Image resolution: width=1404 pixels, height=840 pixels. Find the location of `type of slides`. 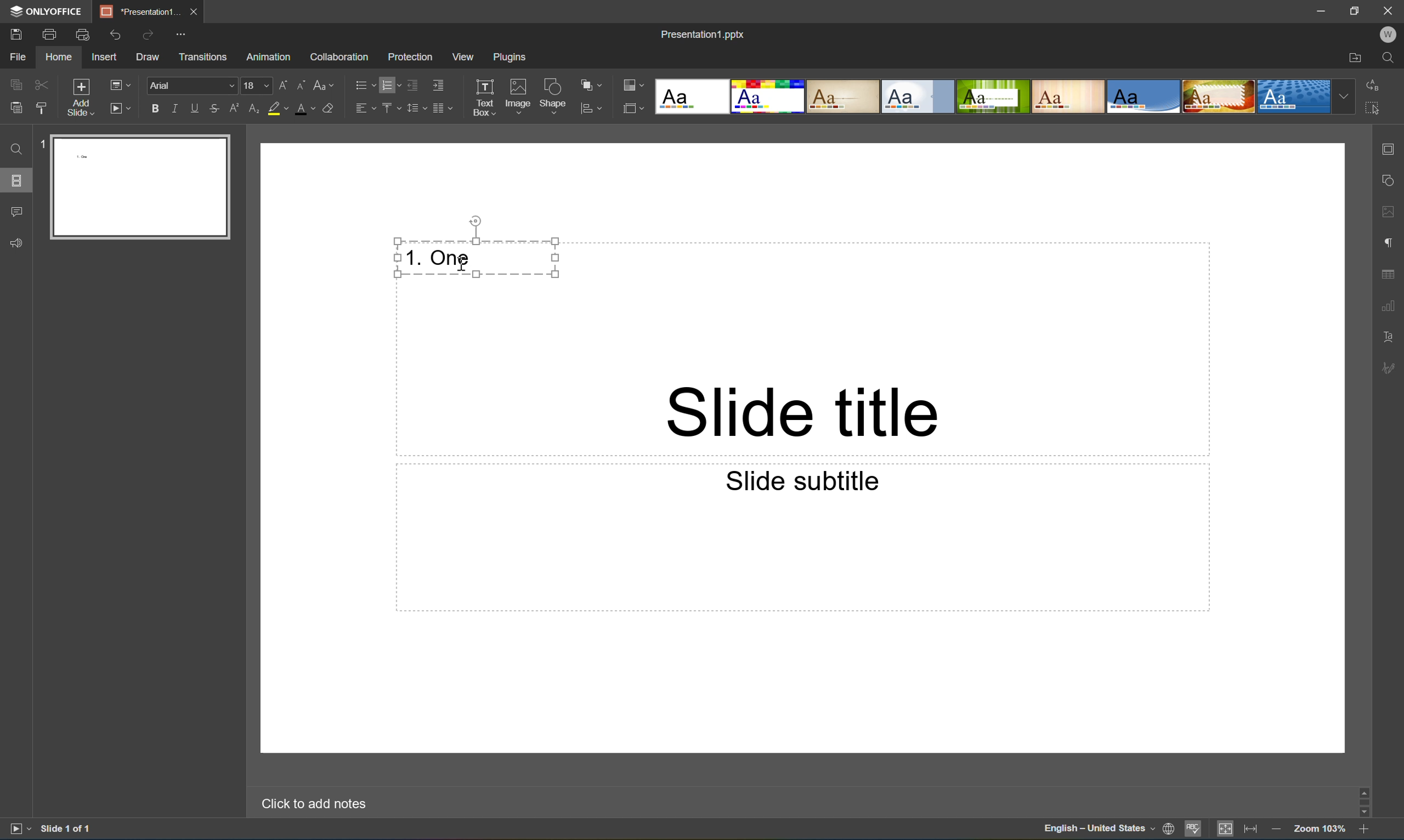

type of slides is located at coordinates (1007, 96).